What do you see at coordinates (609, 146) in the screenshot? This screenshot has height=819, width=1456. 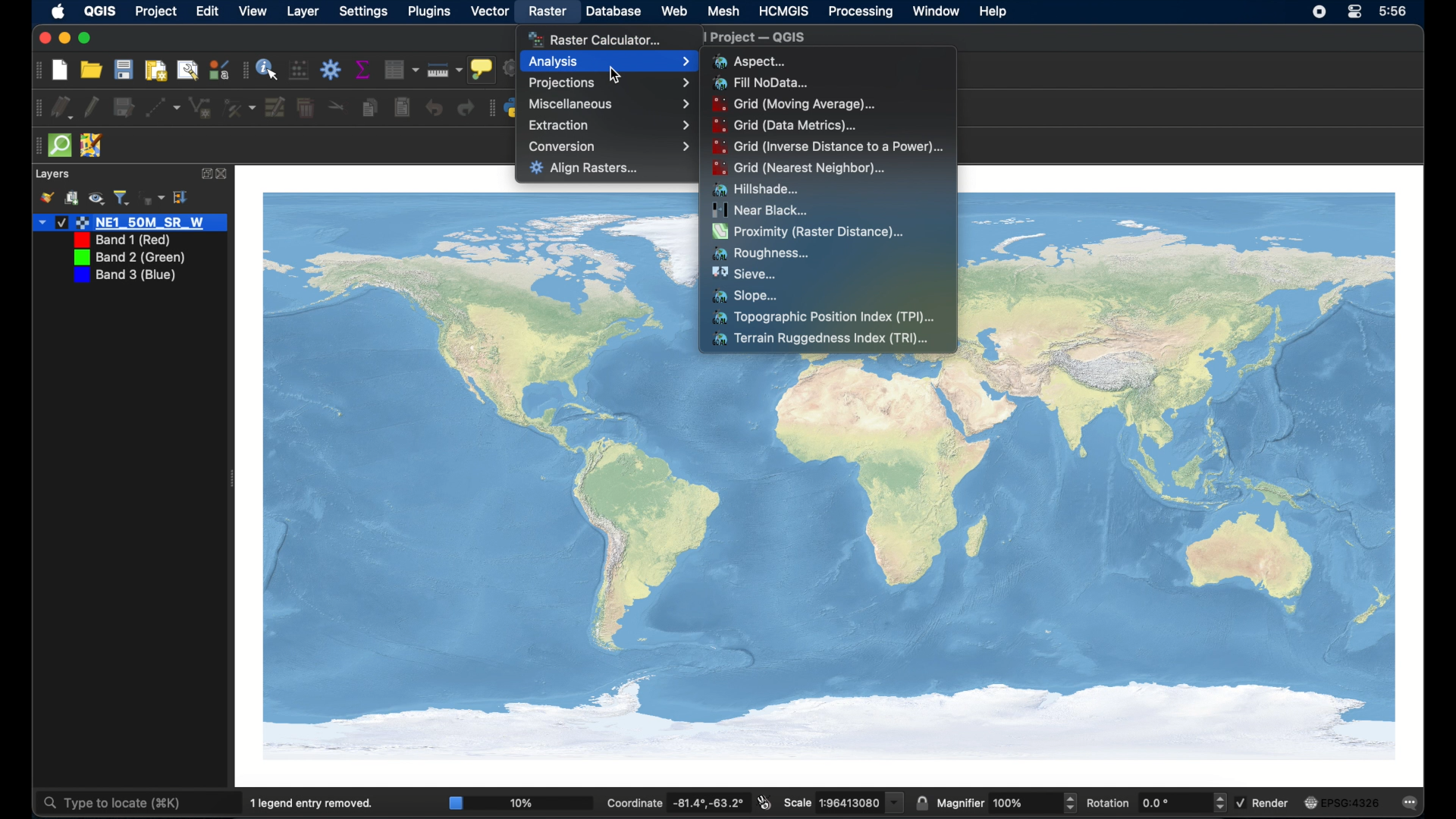 I see `conversion menu` at bounding box center [609, 146].